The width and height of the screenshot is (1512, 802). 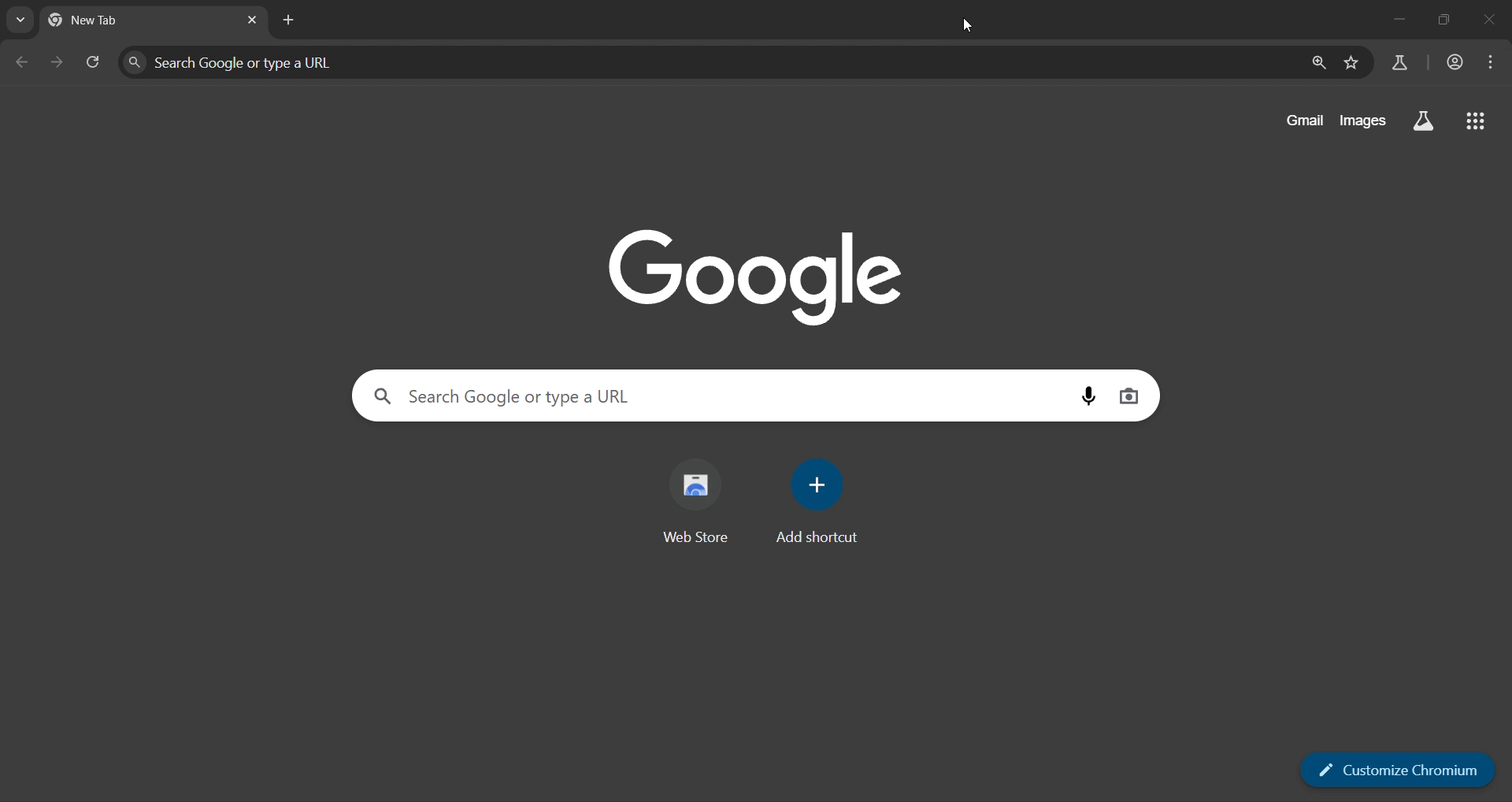 What do you see at coordinates (1480, 121) in the screenshot?
I see `google apps` at bounding box center [1480, 121].